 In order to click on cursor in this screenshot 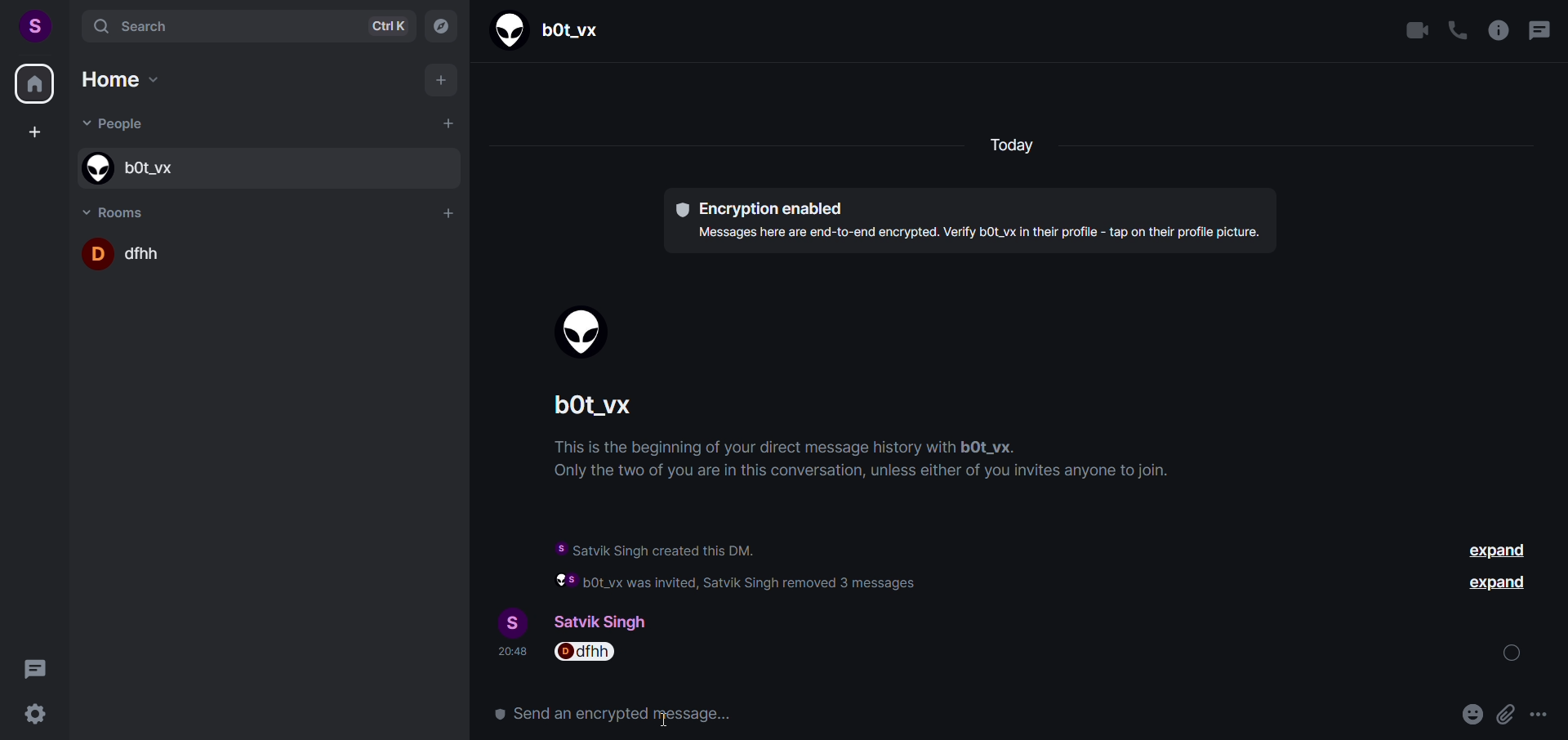, I will do `click(666, 720)`.